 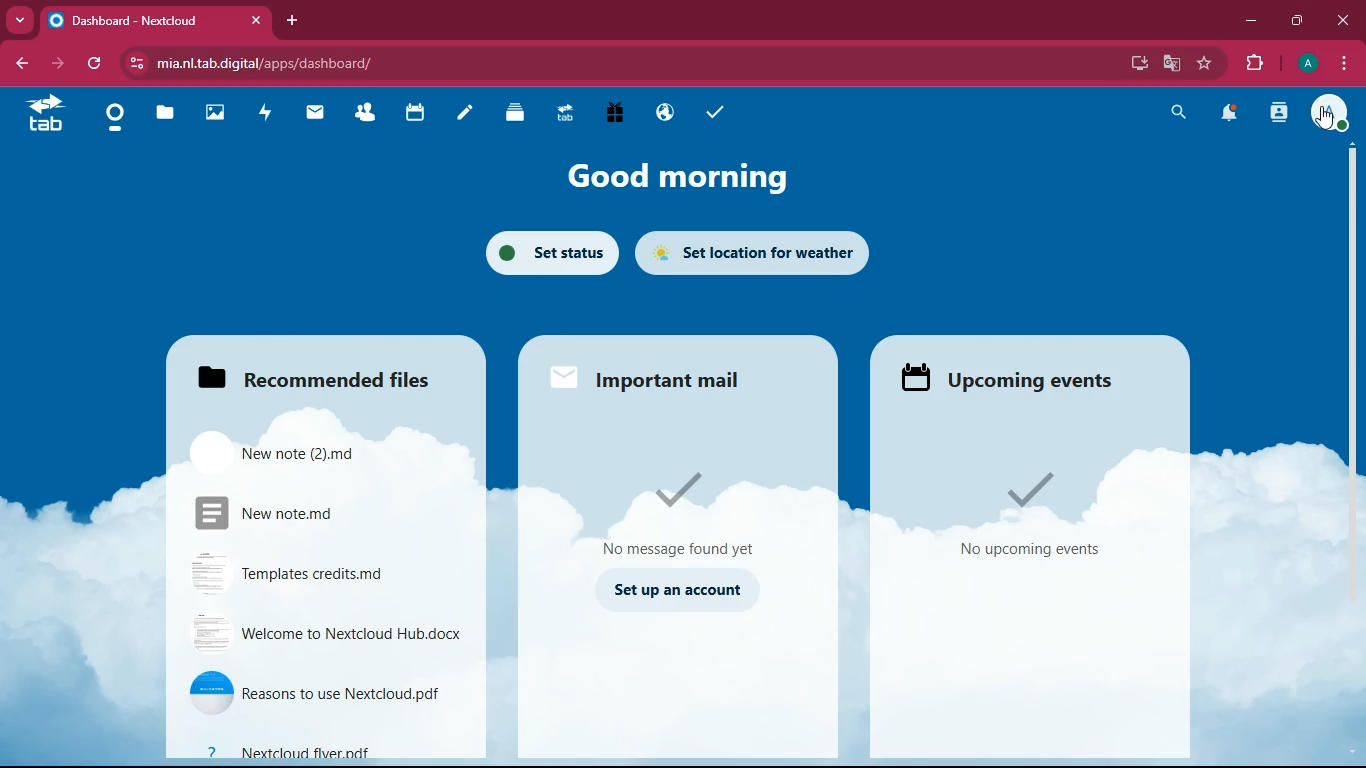 What do you see at coordinates (363, 115) in the screenshot?
I see `friends` at bounding box center [363, 115].